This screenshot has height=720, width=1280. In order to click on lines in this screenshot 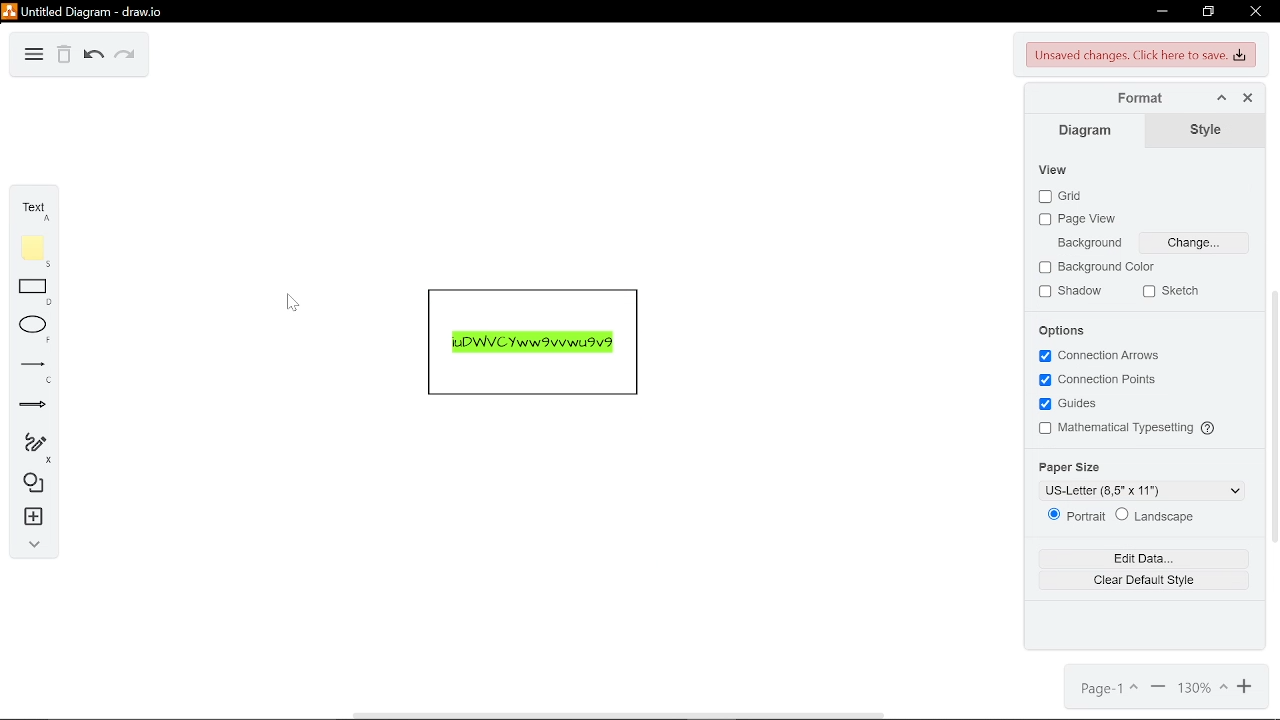, I will do `click(27, 368)`.